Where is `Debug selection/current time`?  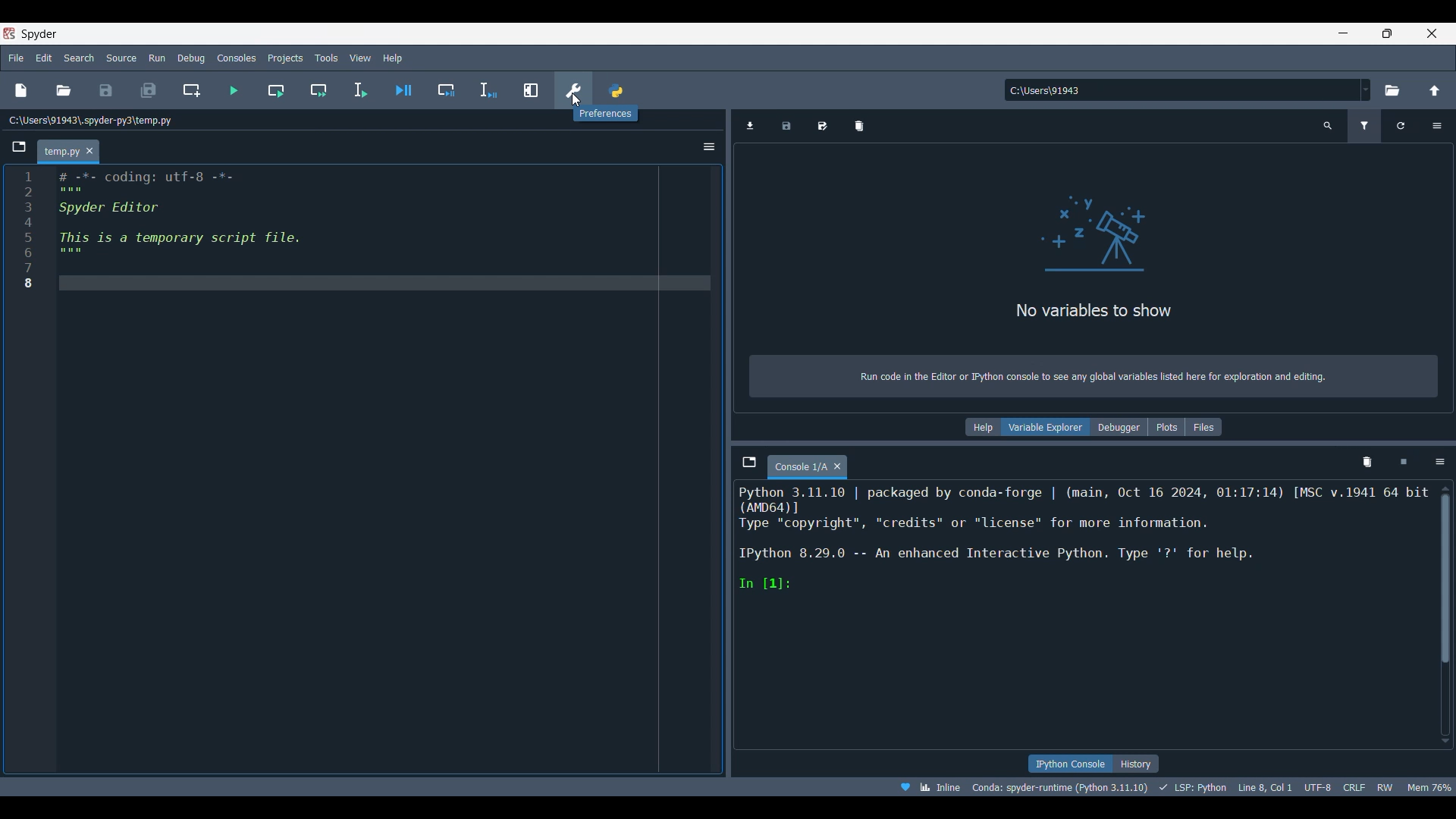
Debug selection/current time is located at coordinates (488, 90).